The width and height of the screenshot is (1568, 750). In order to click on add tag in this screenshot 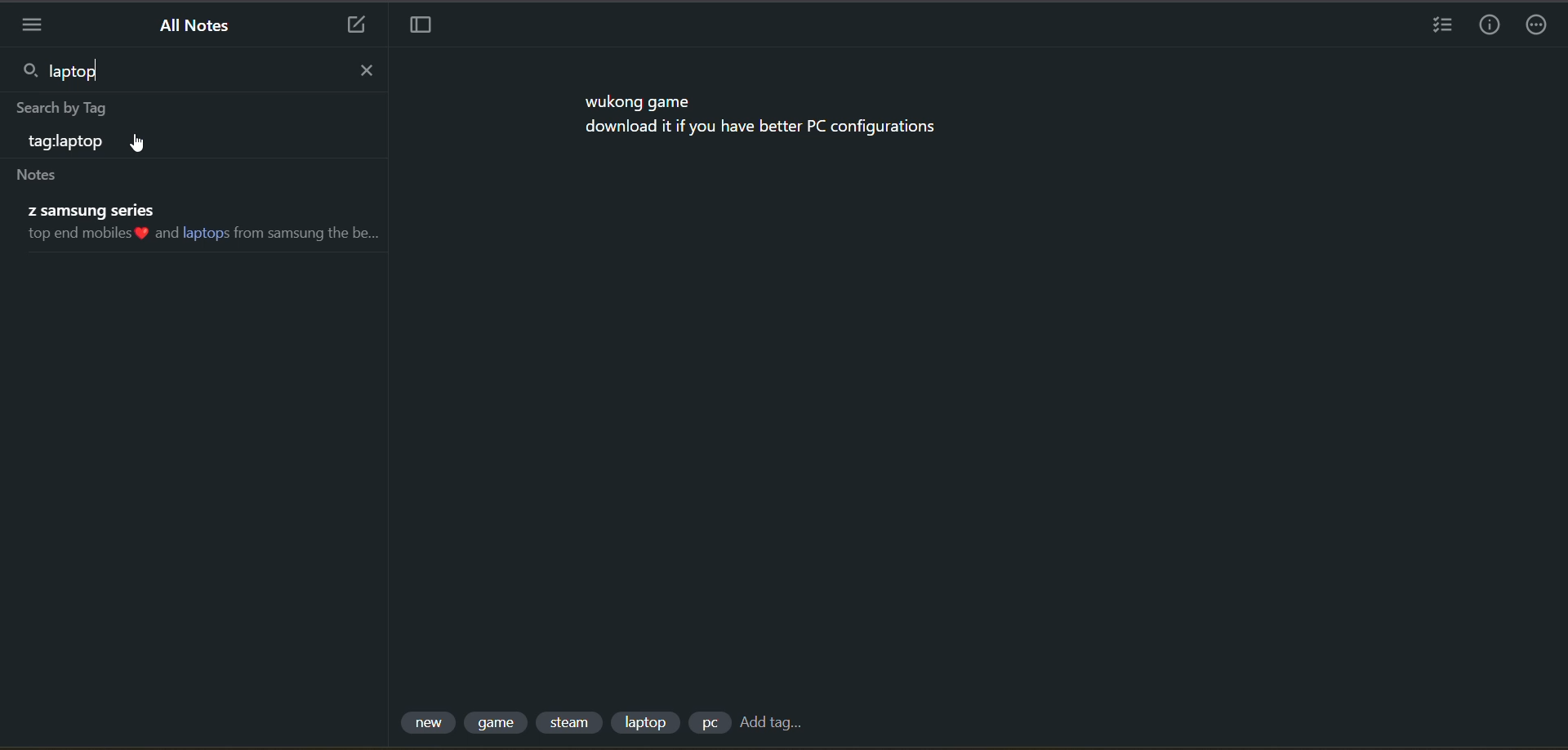, I will do `click(775, 721)`.